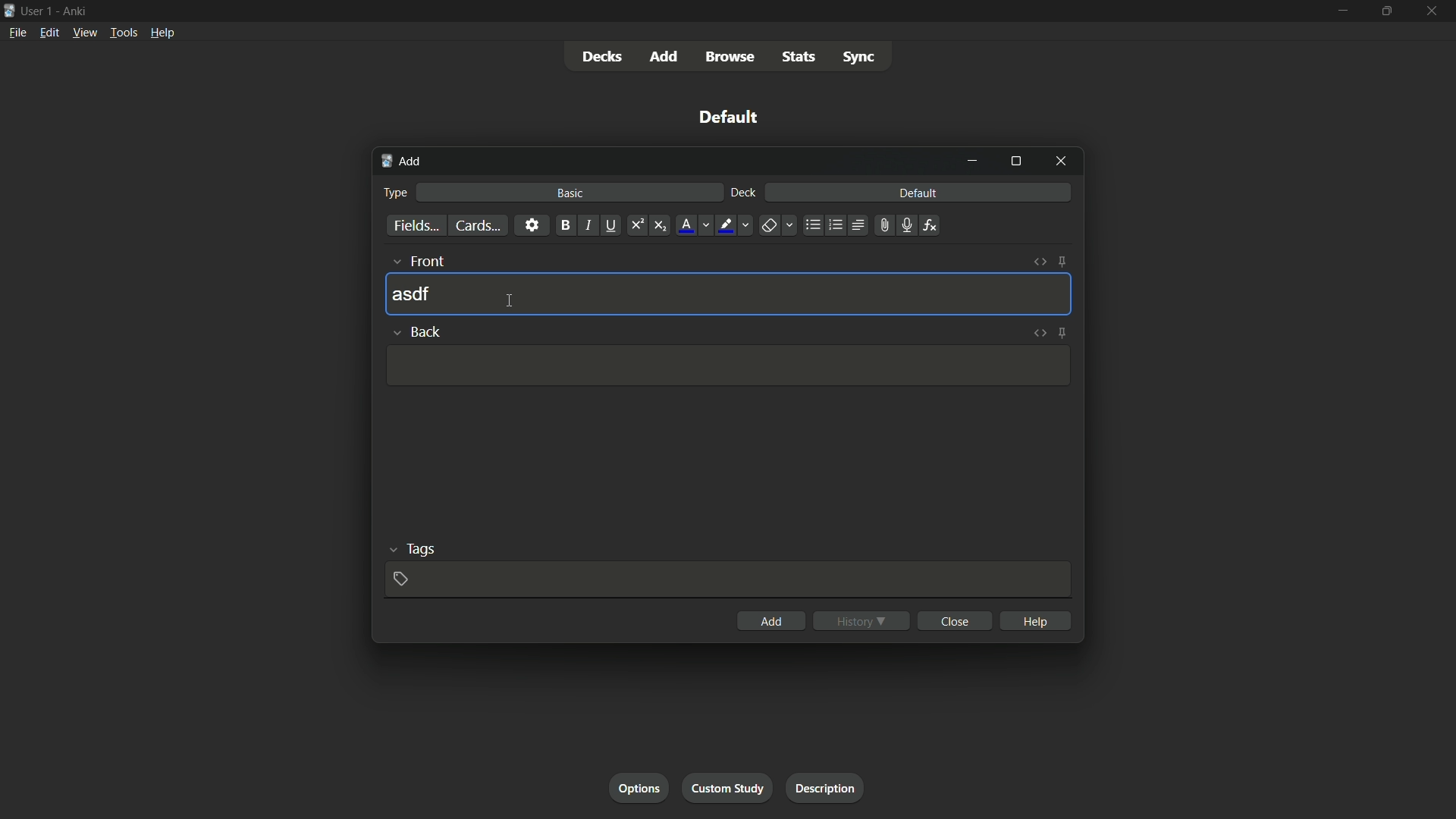  I want to click on default, so click(725, 116).